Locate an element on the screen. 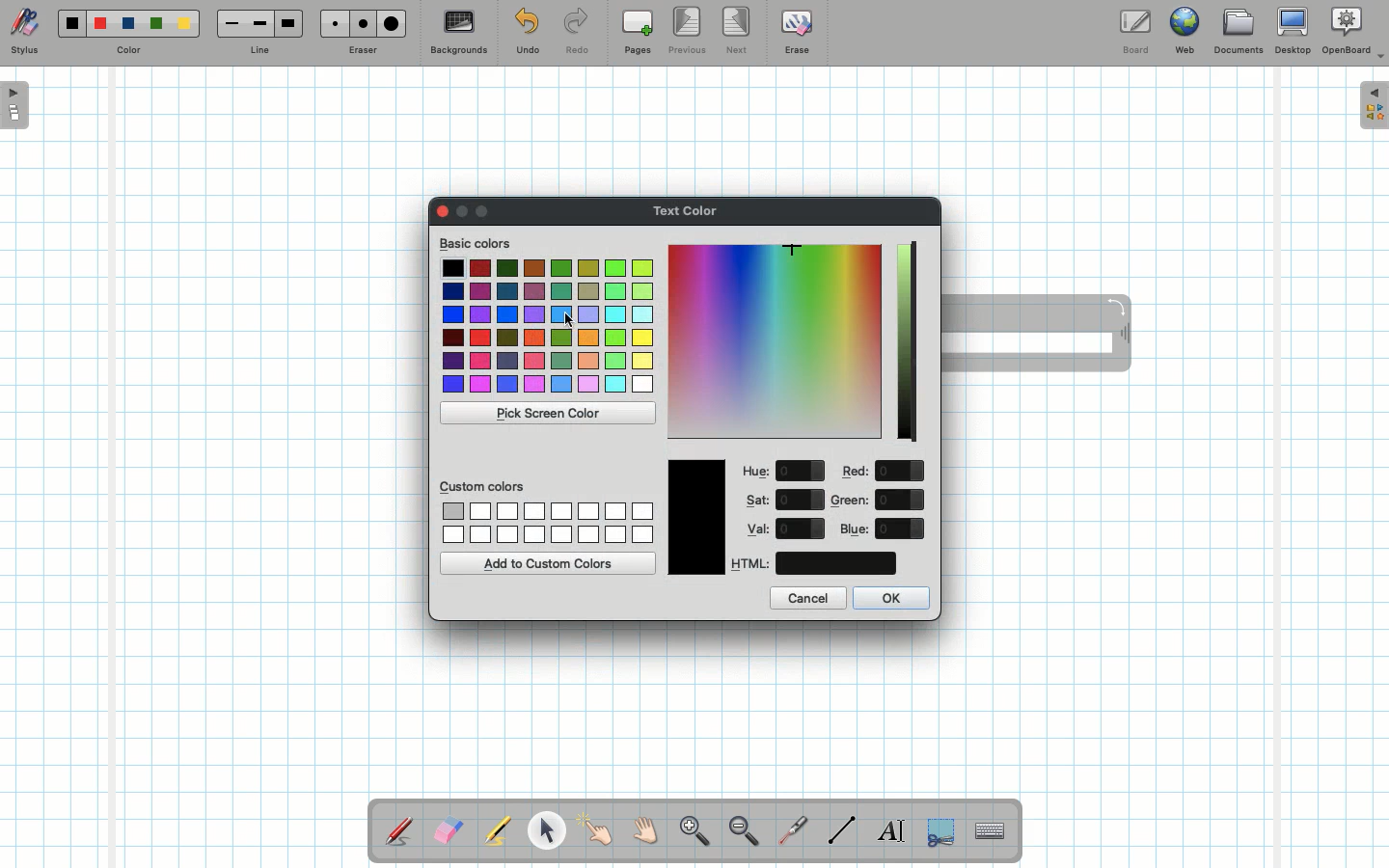  Selection is located at coordinates (939, 829).